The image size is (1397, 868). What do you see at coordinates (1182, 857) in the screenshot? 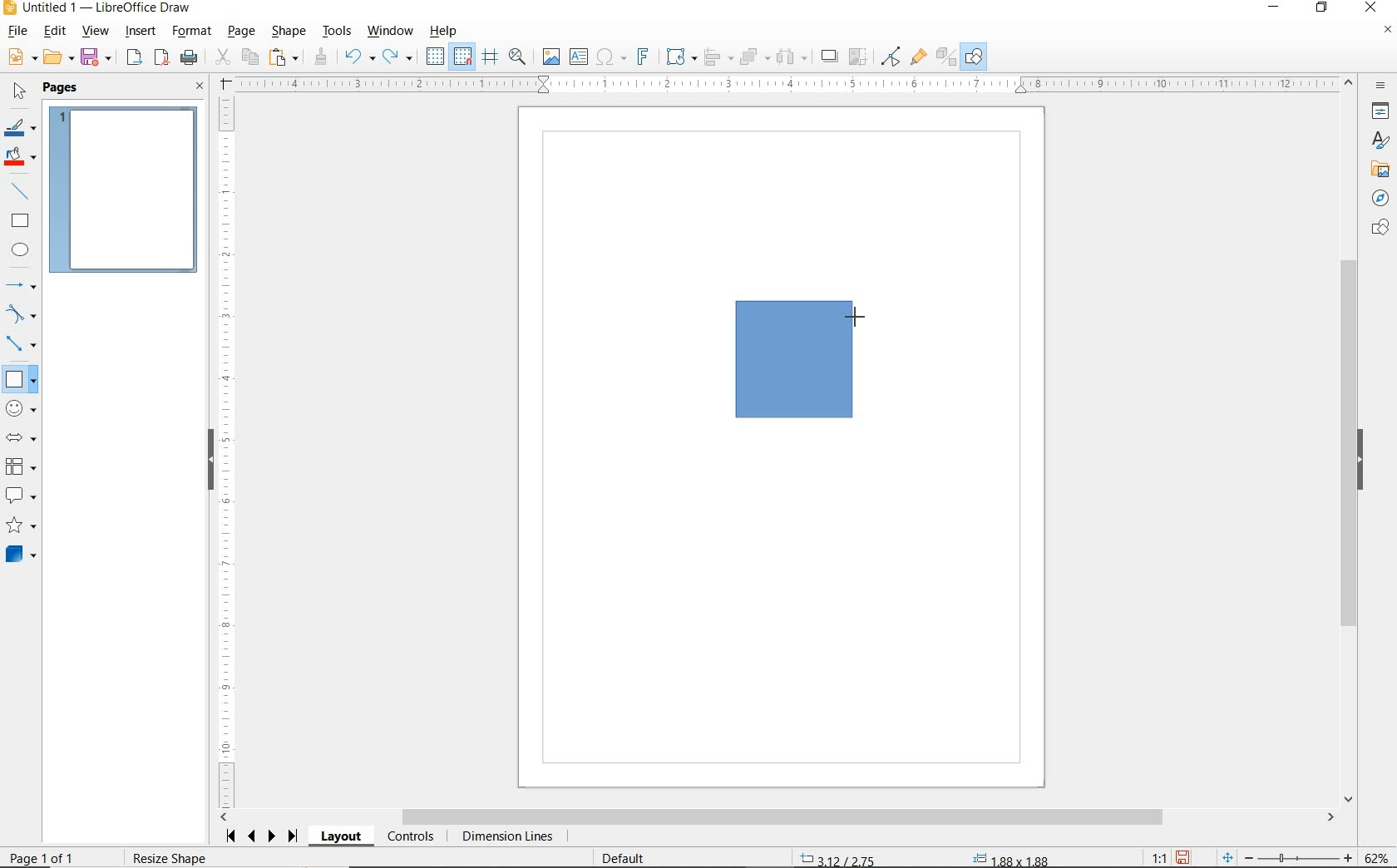
I see `SAVE` at bounding box center [1182, 857].